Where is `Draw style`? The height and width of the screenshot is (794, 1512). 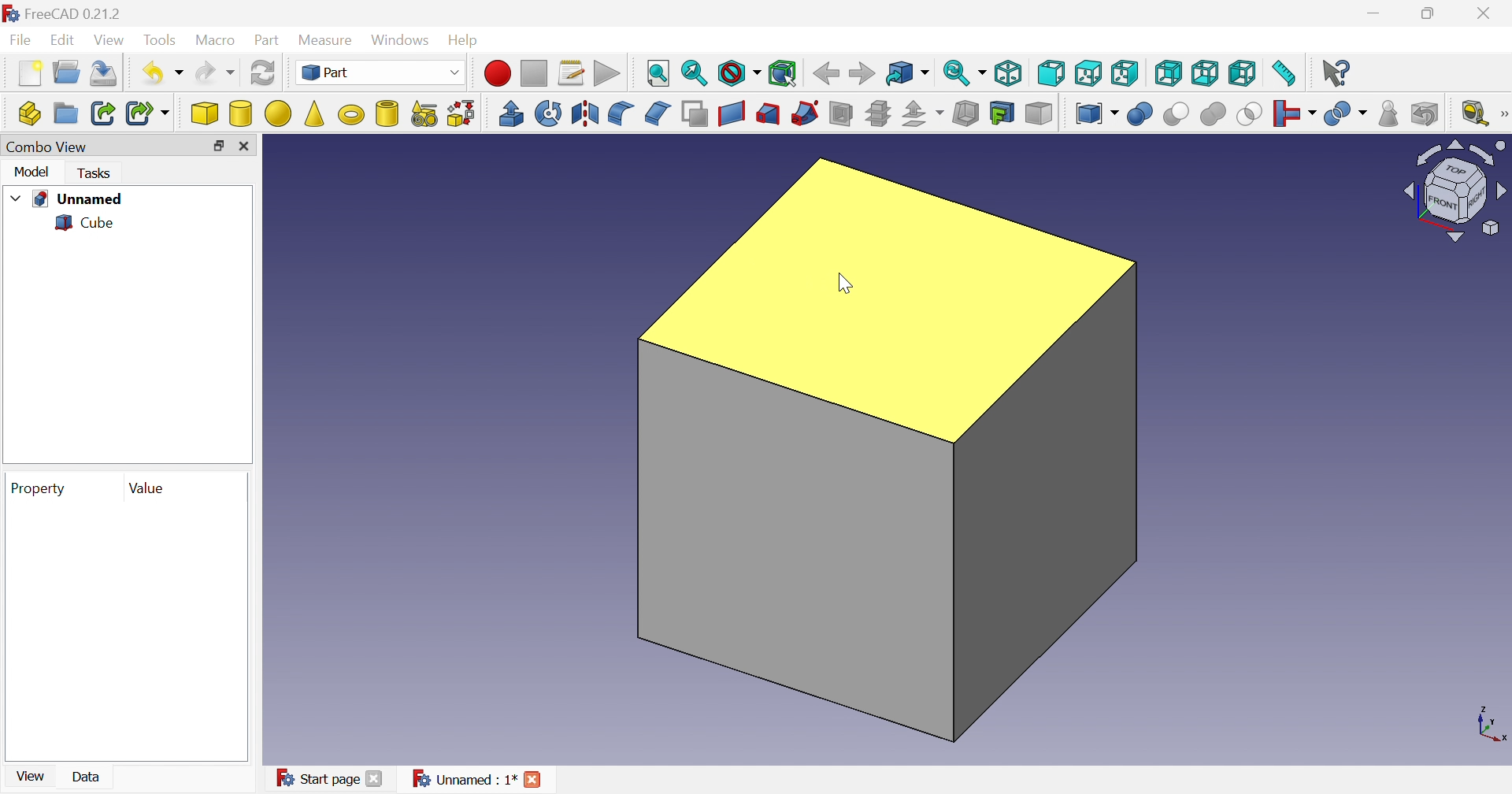 Draw style is located at coordinates (740, 72).